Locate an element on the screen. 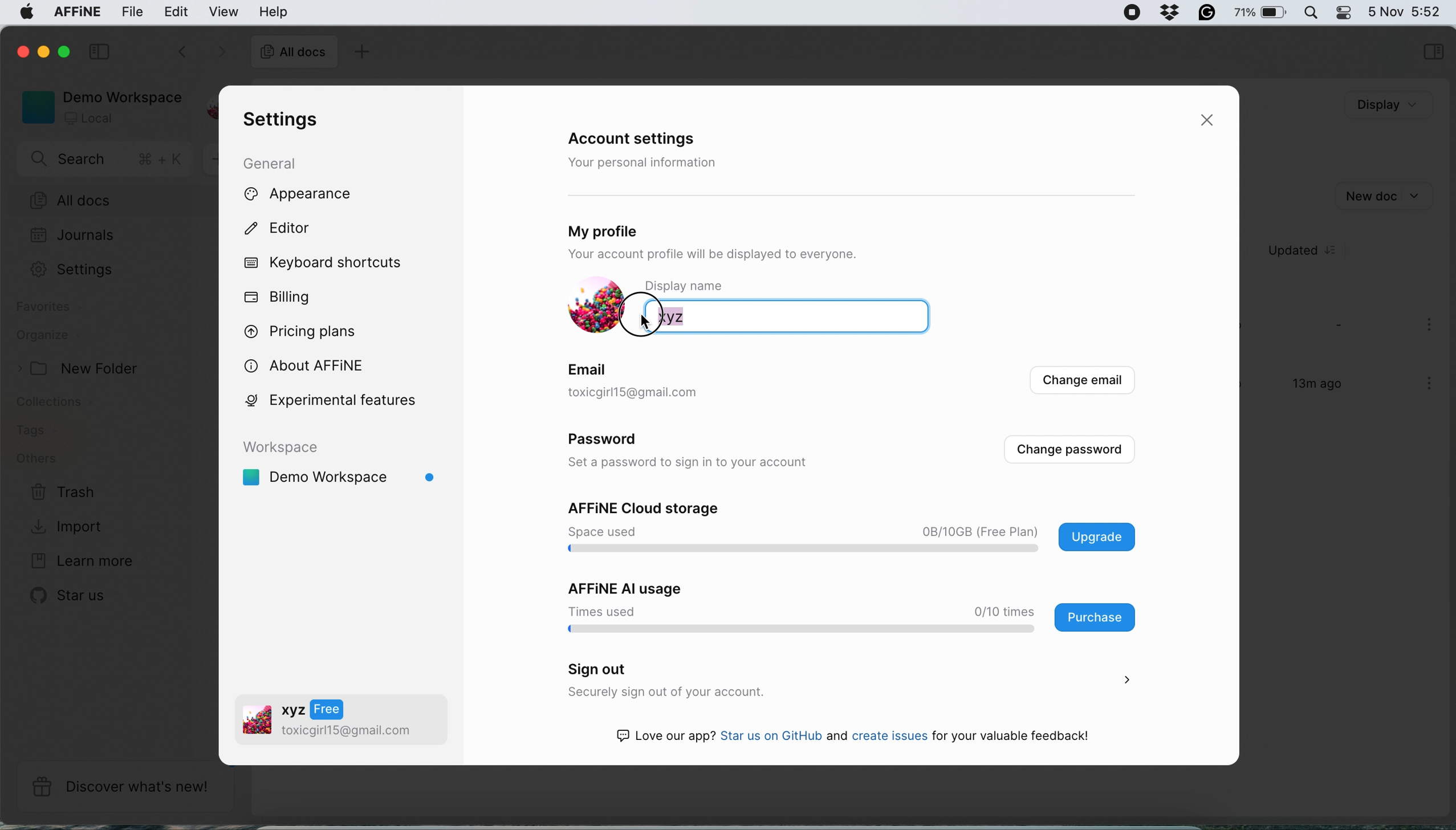 This screenshot has height=830, width=1456. others is located at coordinates (36, 459).